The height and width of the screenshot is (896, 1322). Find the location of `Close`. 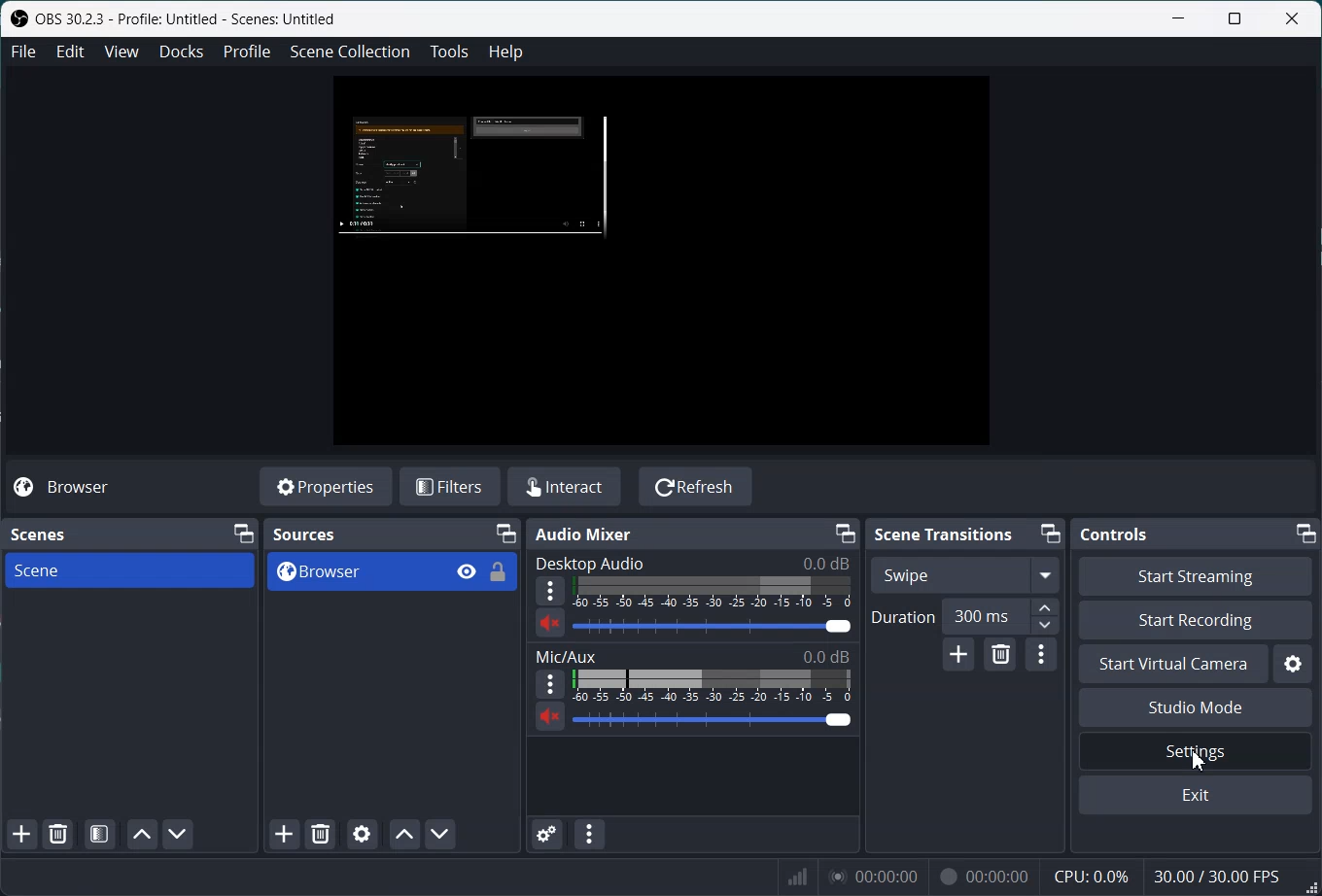

Close is located at coordinates (1292, 18).